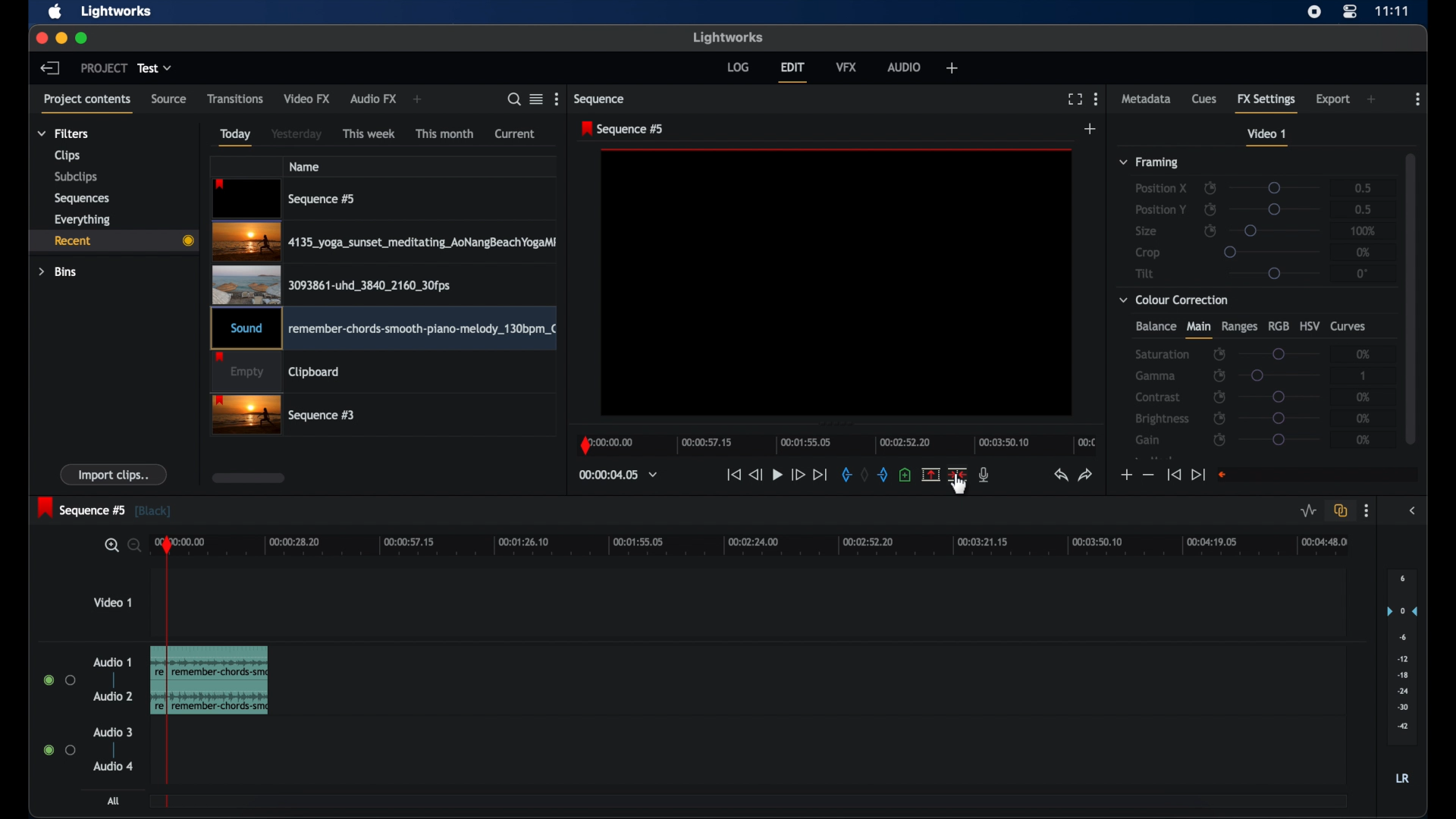 This screenshot has height=819, width=1456. What do you see at coordinates (114, 474) in the screenshot?
I see `import clips` at bounding box center [114, 474].